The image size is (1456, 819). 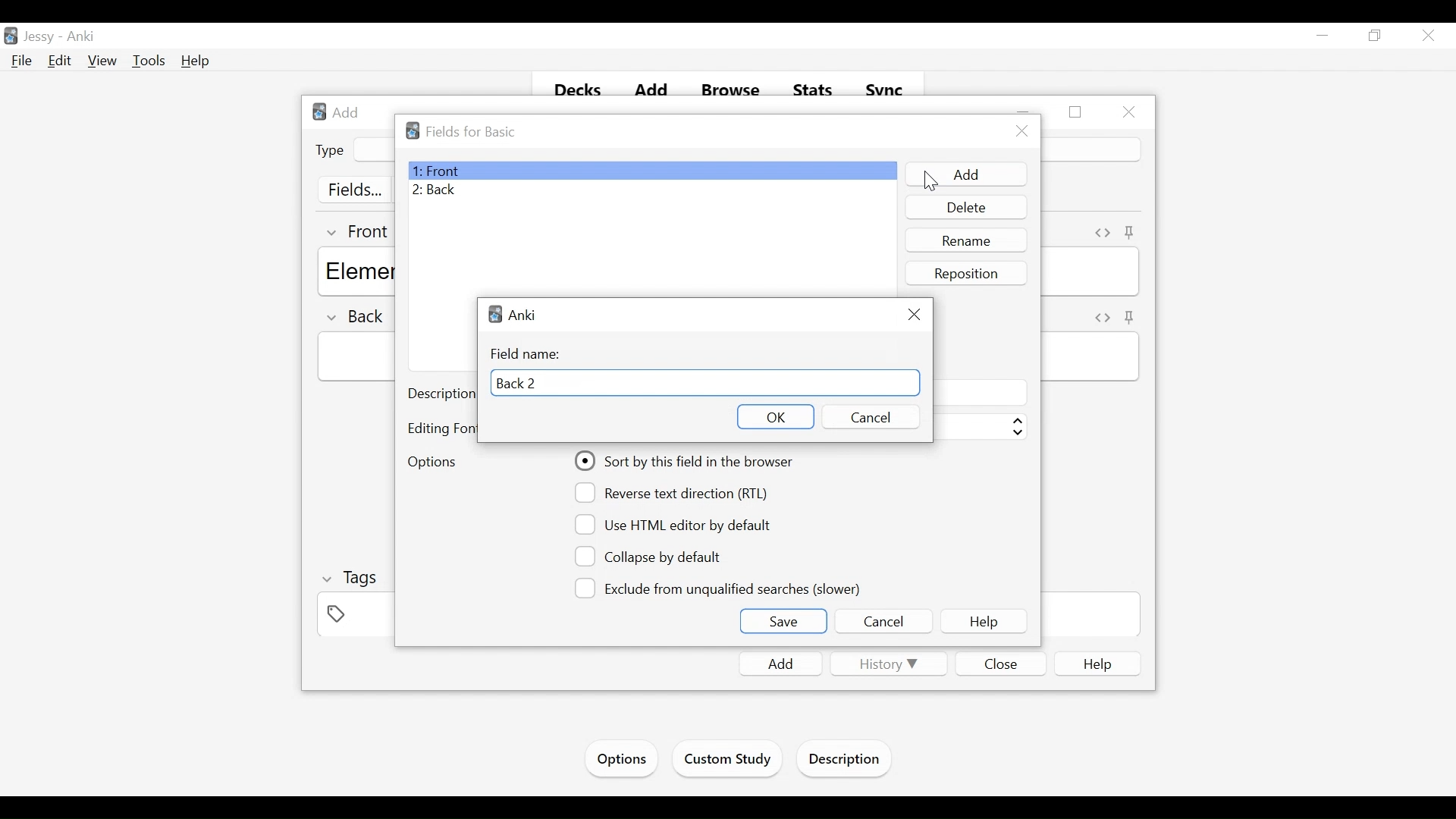 I want to click on Add, so click(x=654, y=91).